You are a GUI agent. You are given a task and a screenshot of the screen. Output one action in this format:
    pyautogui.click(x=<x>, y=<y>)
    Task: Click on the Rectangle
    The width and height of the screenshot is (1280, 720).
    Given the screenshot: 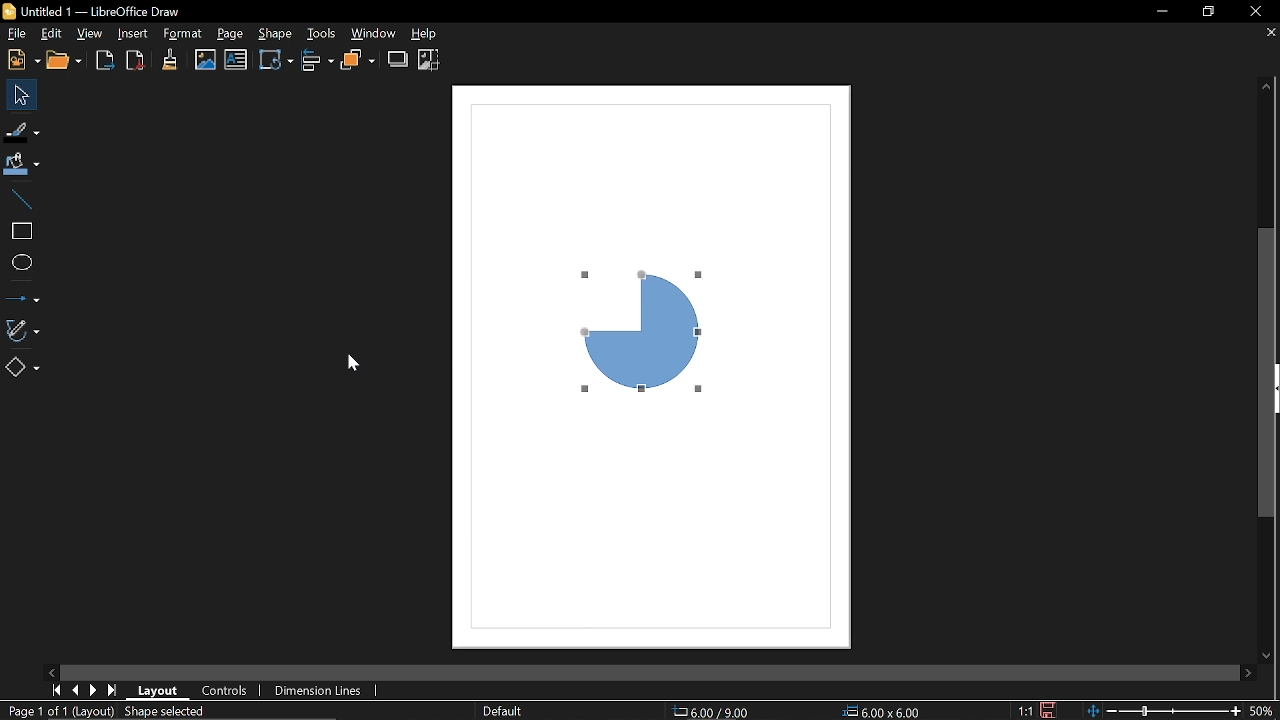 What is the action you would take?
    pyautogui.click(x=22, y=230)
    